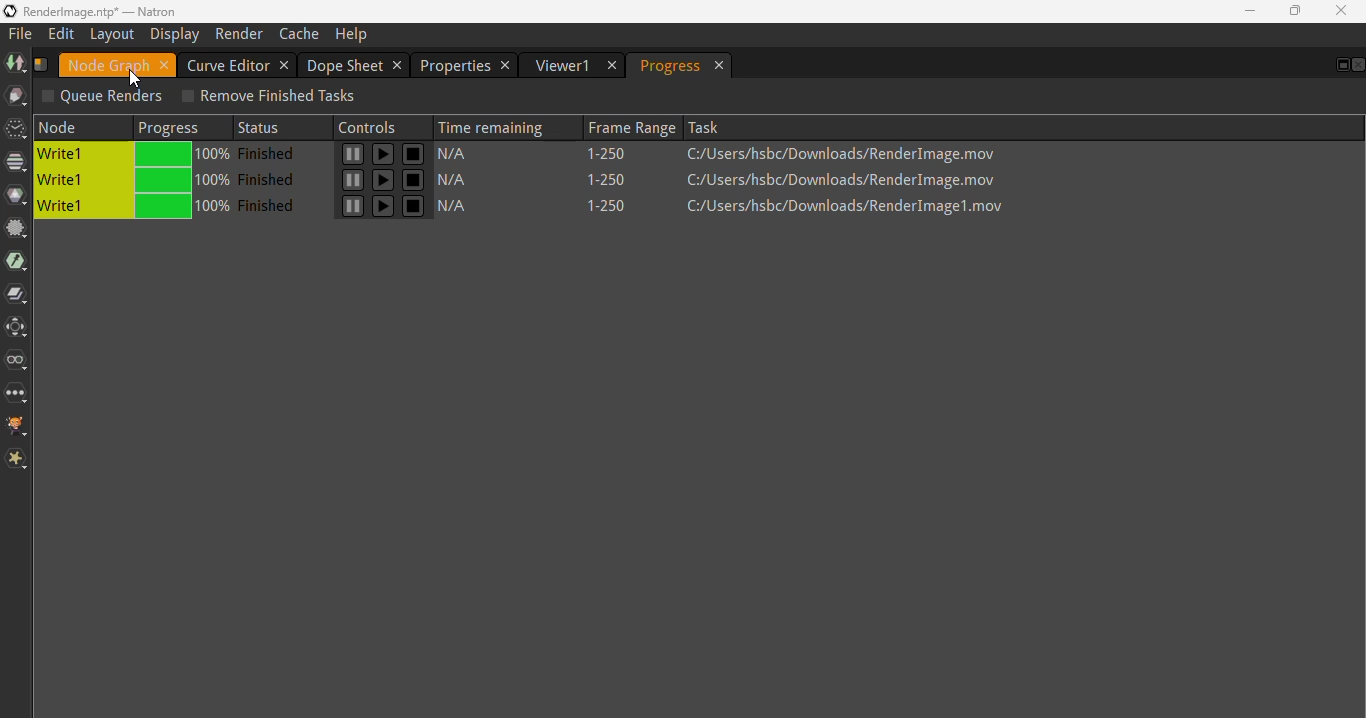 The width and height of the screenshot is (1366, 718). I want to click on N/A, so click(459, 182).